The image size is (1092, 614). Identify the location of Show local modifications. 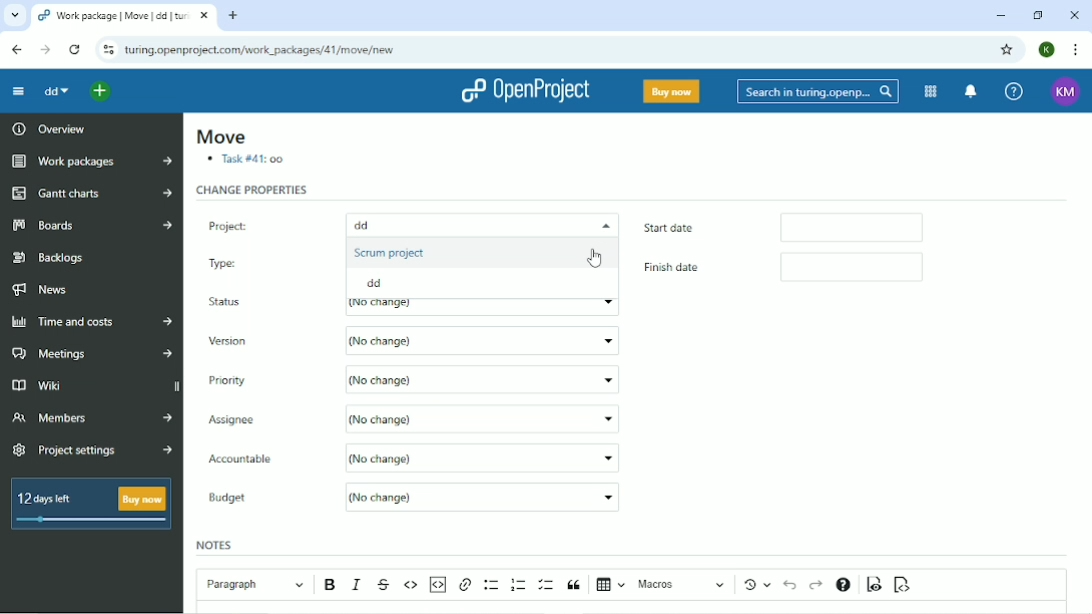
(760, 584).